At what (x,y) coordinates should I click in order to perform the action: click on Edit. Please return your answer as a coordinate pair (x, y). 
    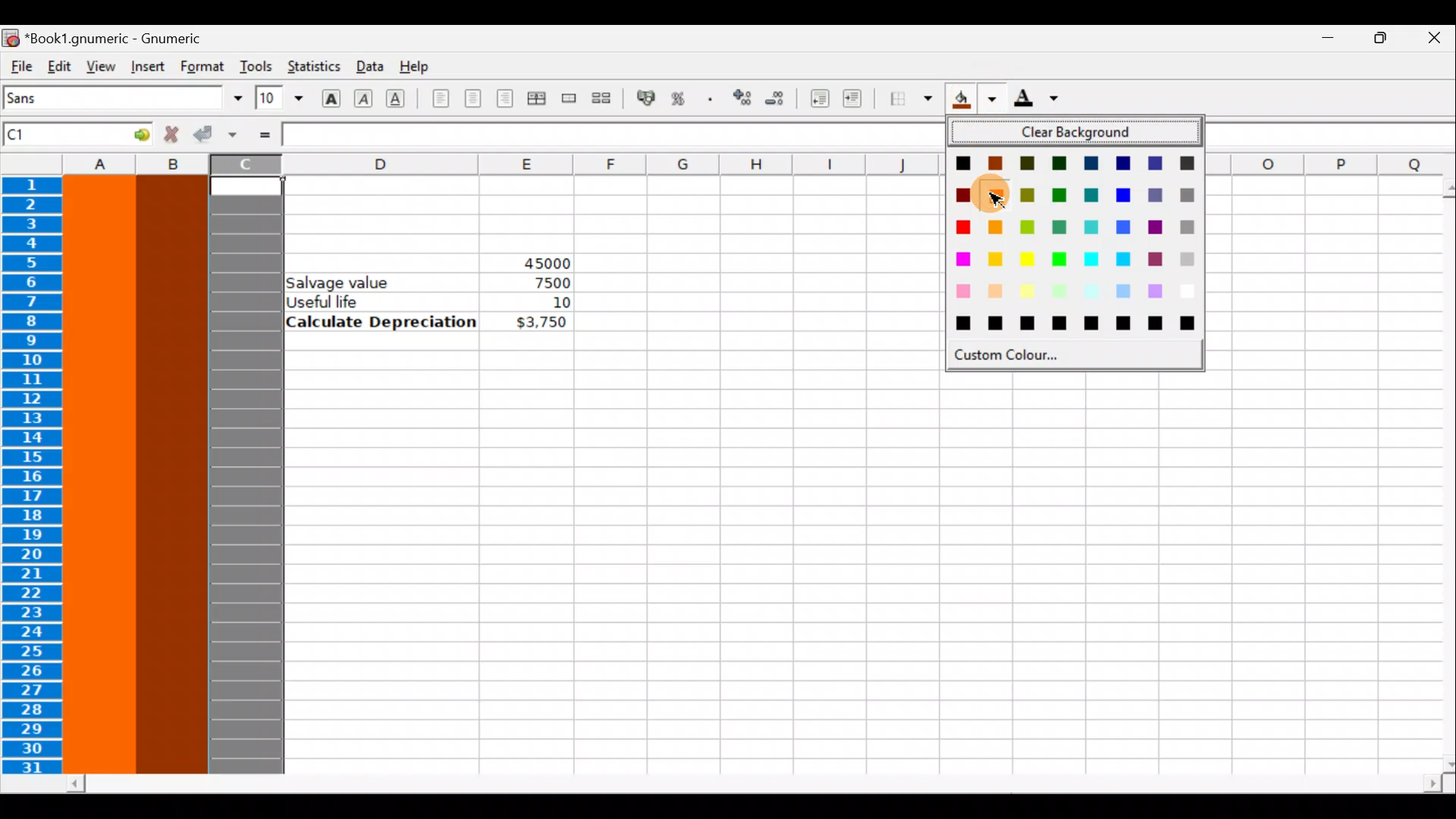
    Looking at the image, I should click on (59, 65).